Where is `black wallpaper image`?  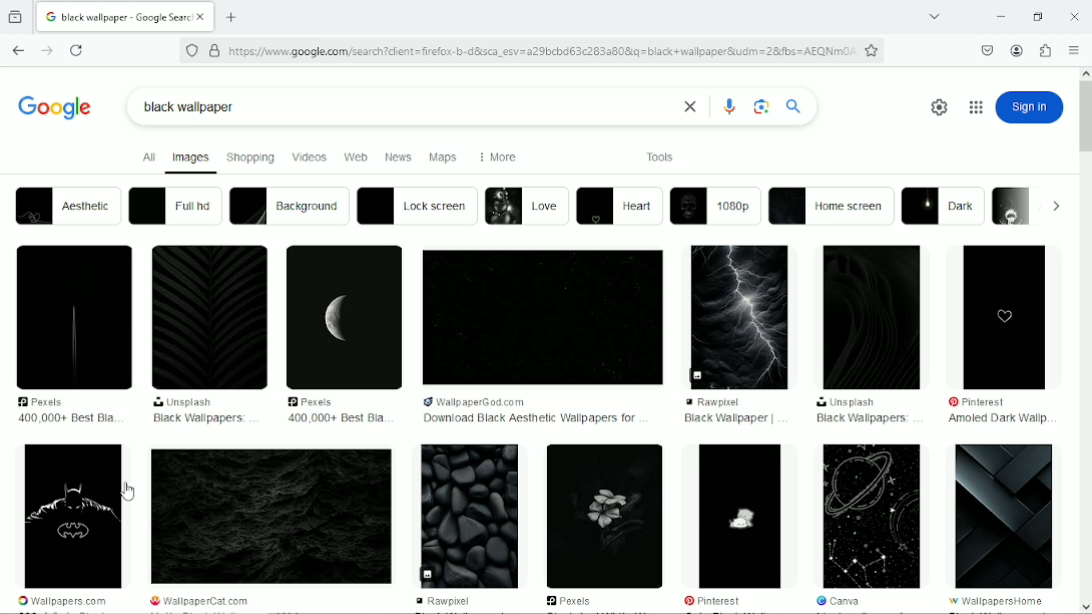 black wallpaper image is located at coordinates (468, 517).